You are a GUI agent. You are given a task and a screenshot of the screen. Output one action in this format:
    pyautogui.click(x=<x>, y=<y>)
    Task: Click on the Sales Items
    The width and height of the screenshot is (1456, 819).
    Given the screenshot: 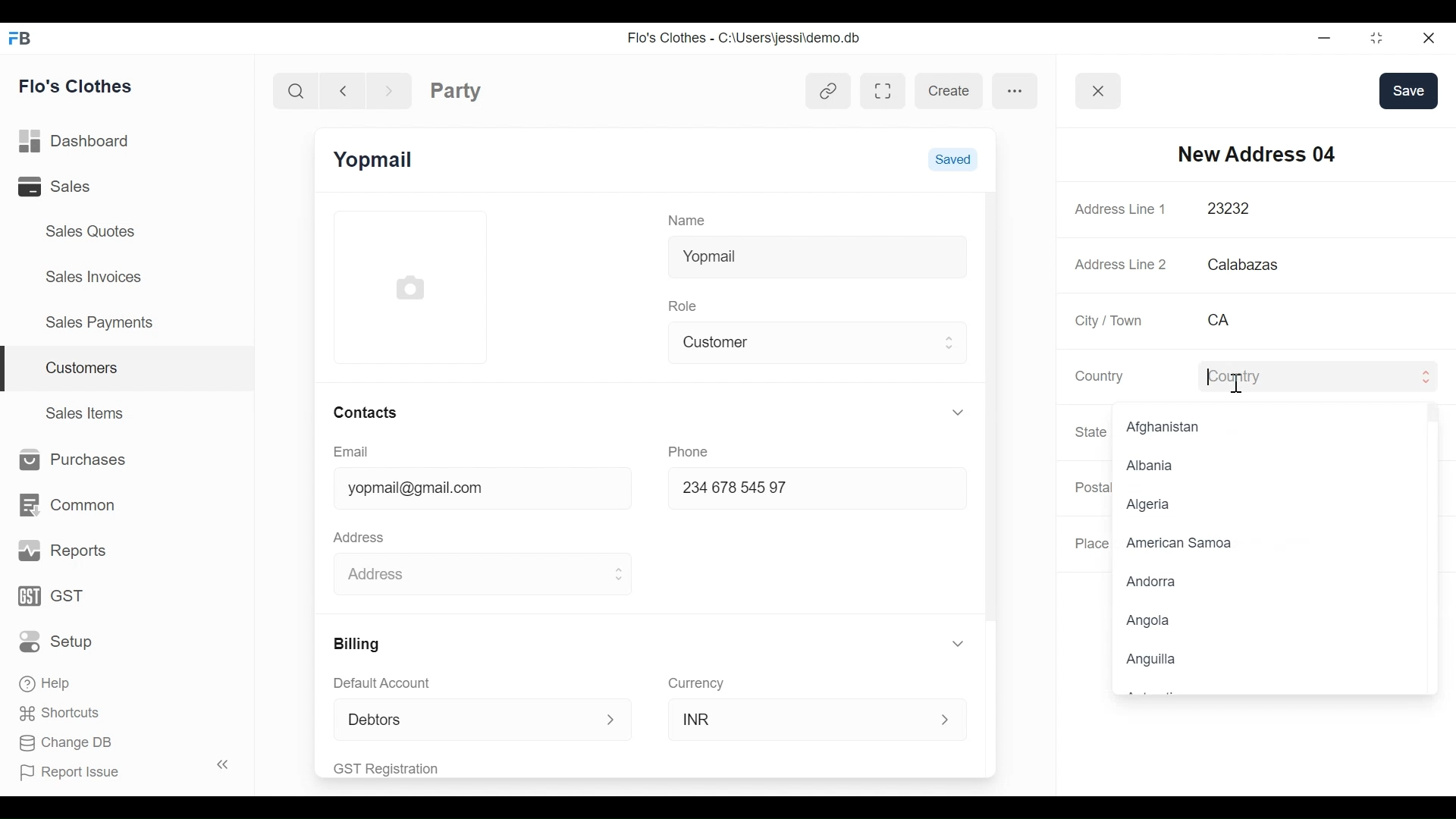 What is the action you would take?
    pyautogui.click(x=86, y=411)
    